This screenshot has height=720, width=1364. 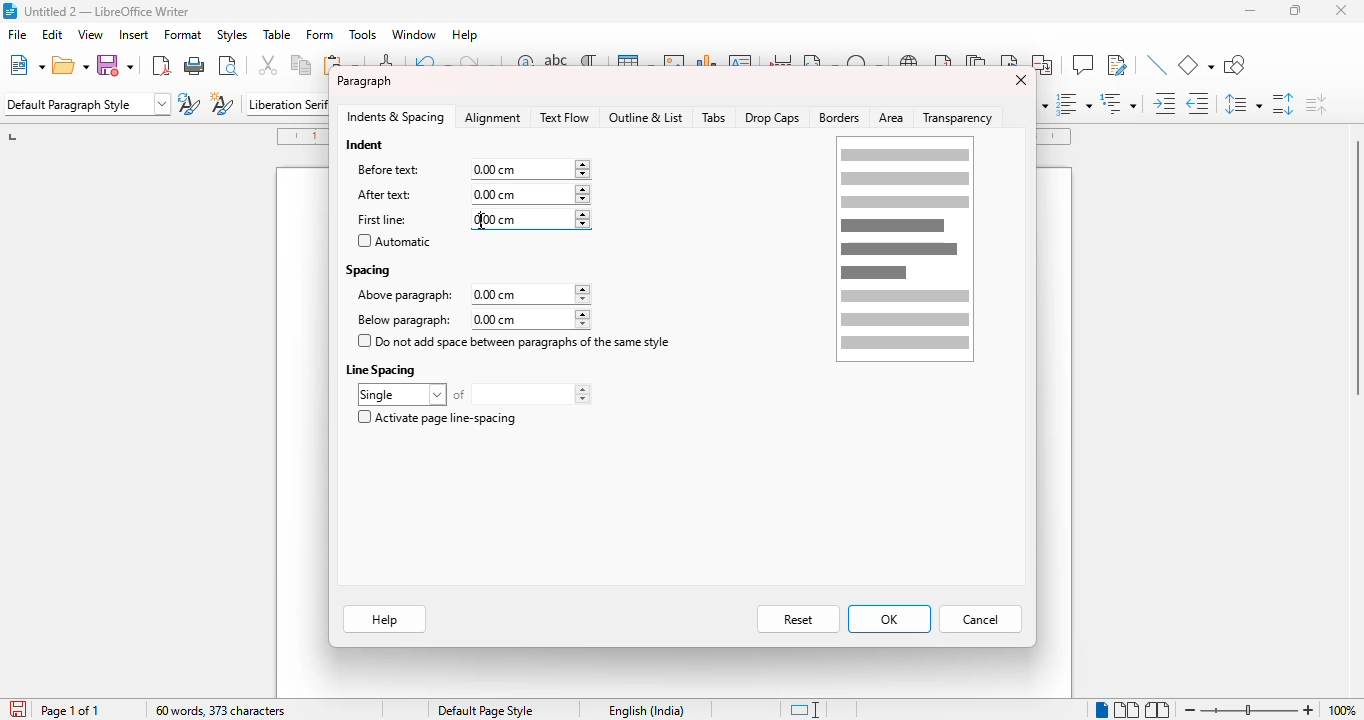 What do you see at coordinates (1248, 708) in the screenshot?
I see `zoom slider` at bounding box center [1248, 708].